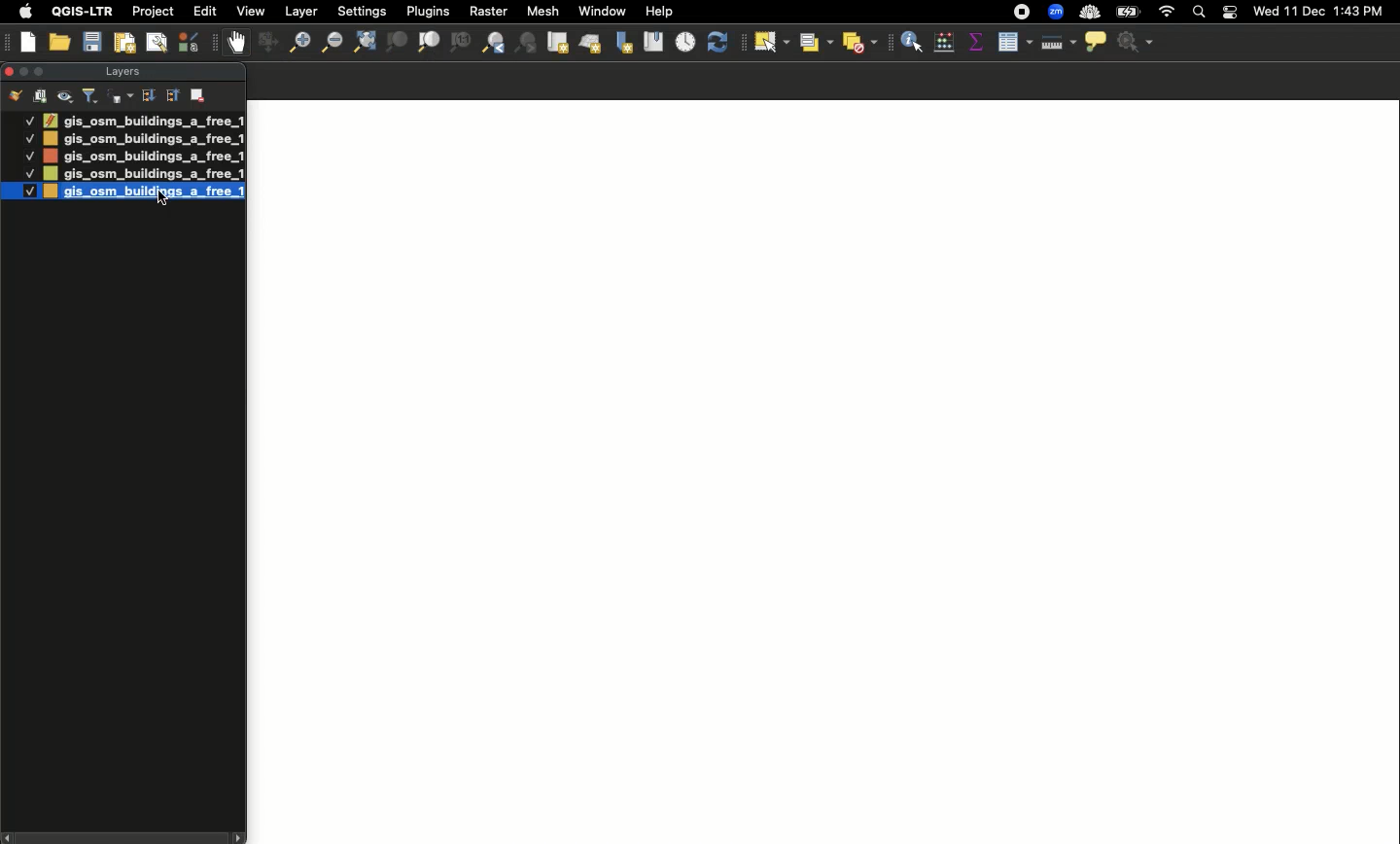 The width and height of the screenshot is (1400, 844). Describe the element at coordinates (144, 194) in the screenshot. I see `gis_osm_buildings_a_free_1` at that location.